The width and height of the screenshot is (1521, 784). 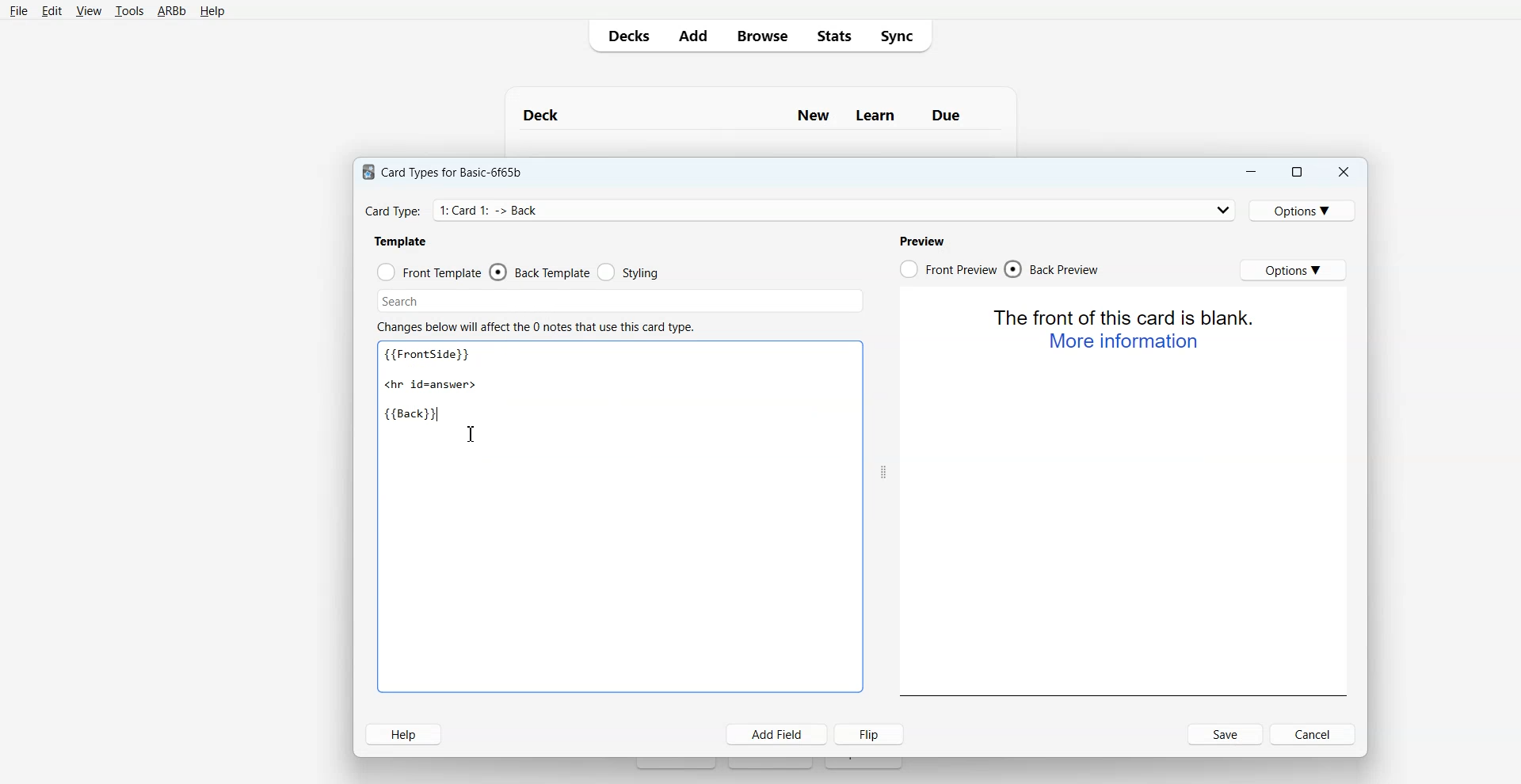 I want to click on Minimize, so click(x=1252, y=171).